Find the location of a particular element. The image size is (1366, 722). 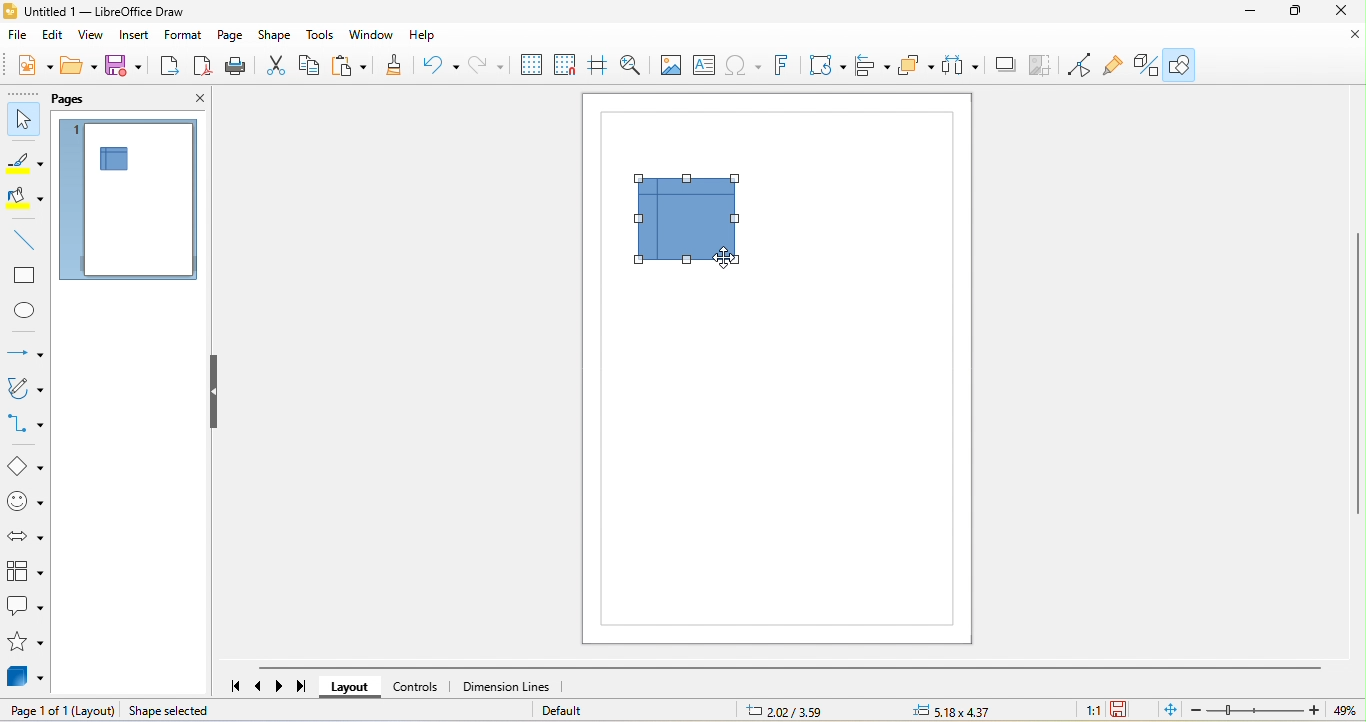

page 1 of 1 is located at coordinates (38, 711).